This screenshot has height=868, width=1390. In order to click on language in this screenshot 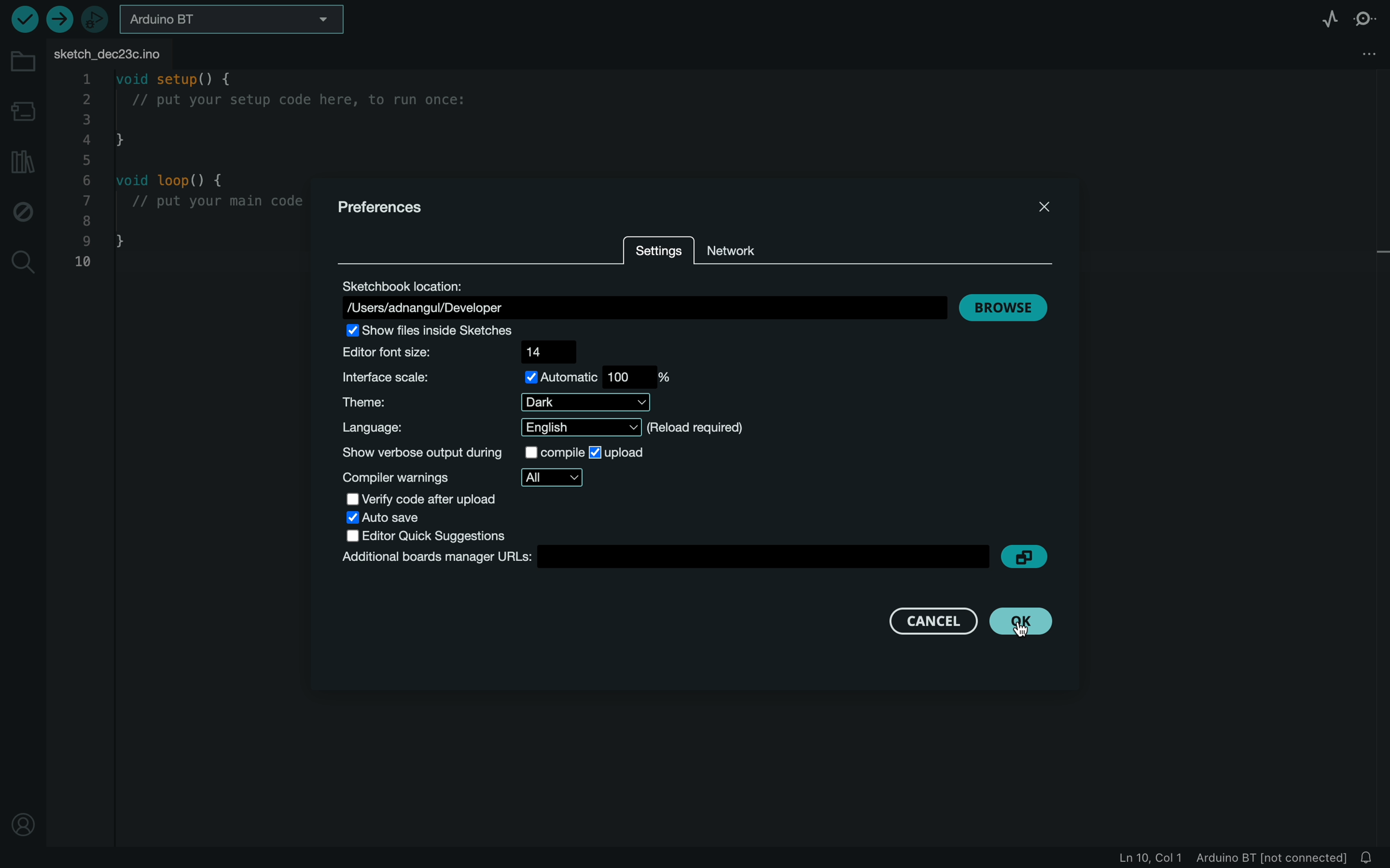, I will do `click(550, 428)`.